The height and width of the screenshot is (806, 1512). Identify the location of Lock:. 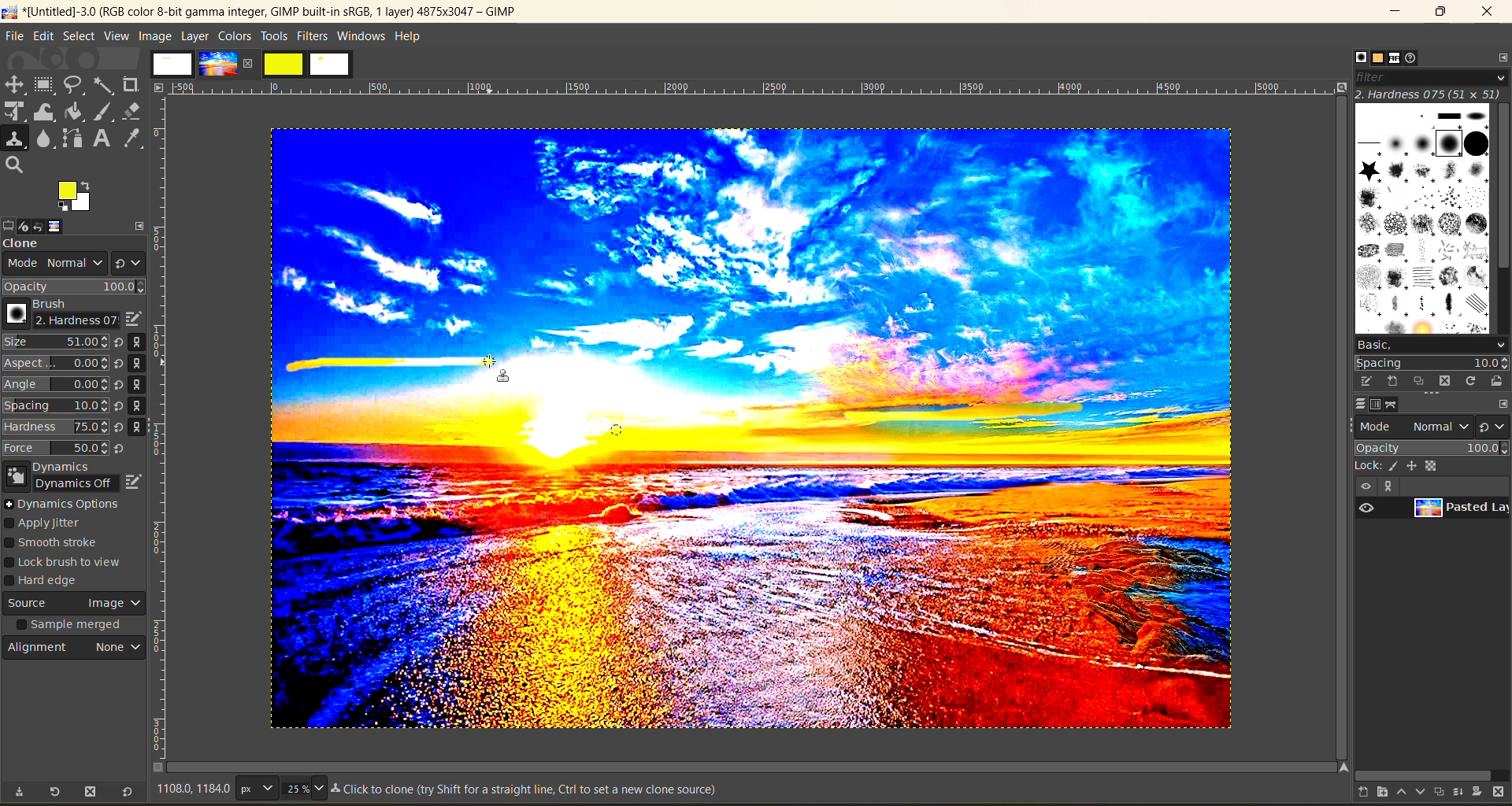
(1369, 466).